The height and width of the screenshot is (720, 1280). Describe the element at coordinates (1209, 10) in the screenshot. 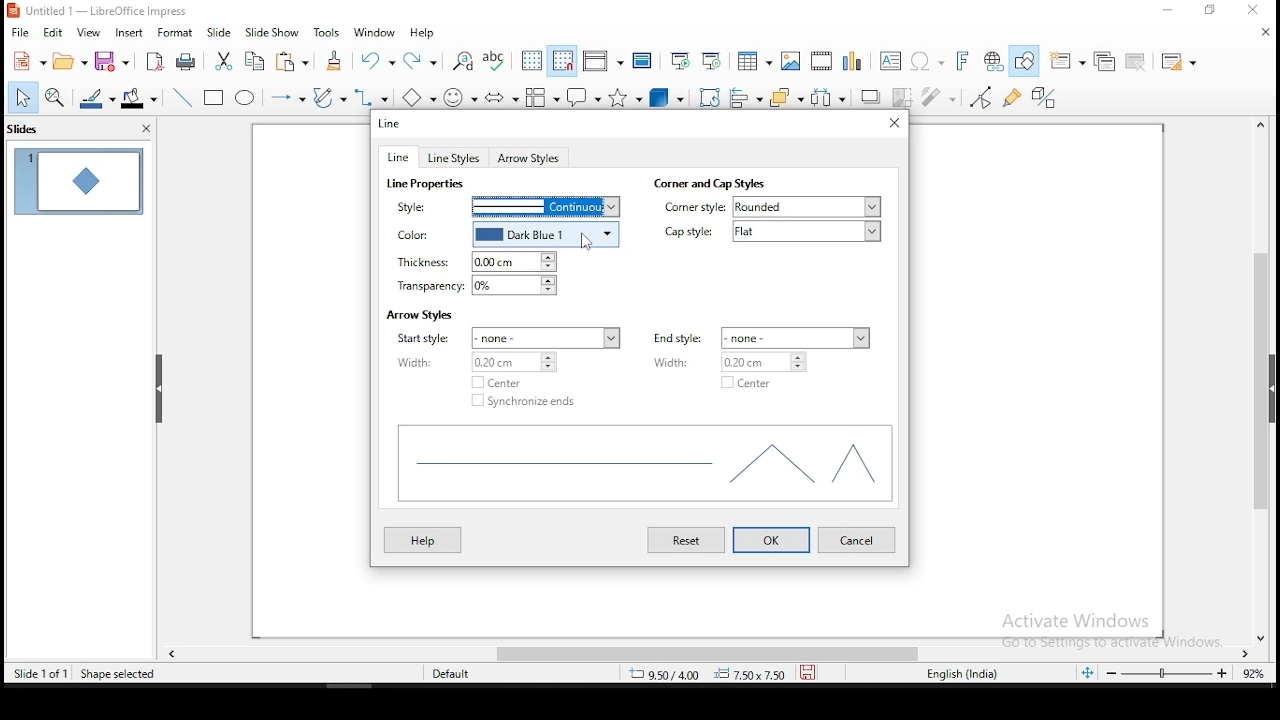

I see `restore` at that location.